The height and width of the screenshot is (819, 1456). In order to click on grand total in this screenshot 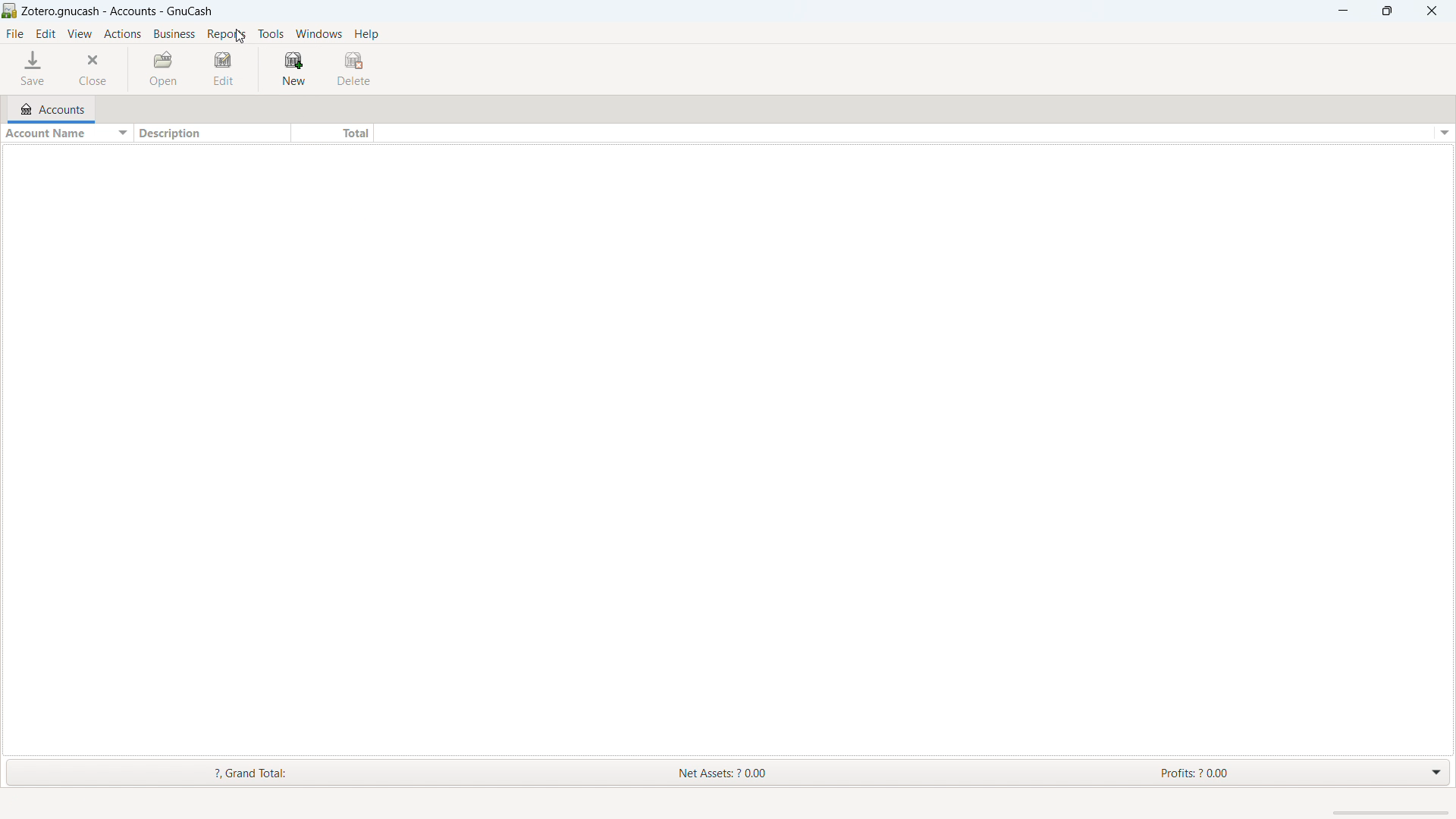, I will do `click(234, 773)`.